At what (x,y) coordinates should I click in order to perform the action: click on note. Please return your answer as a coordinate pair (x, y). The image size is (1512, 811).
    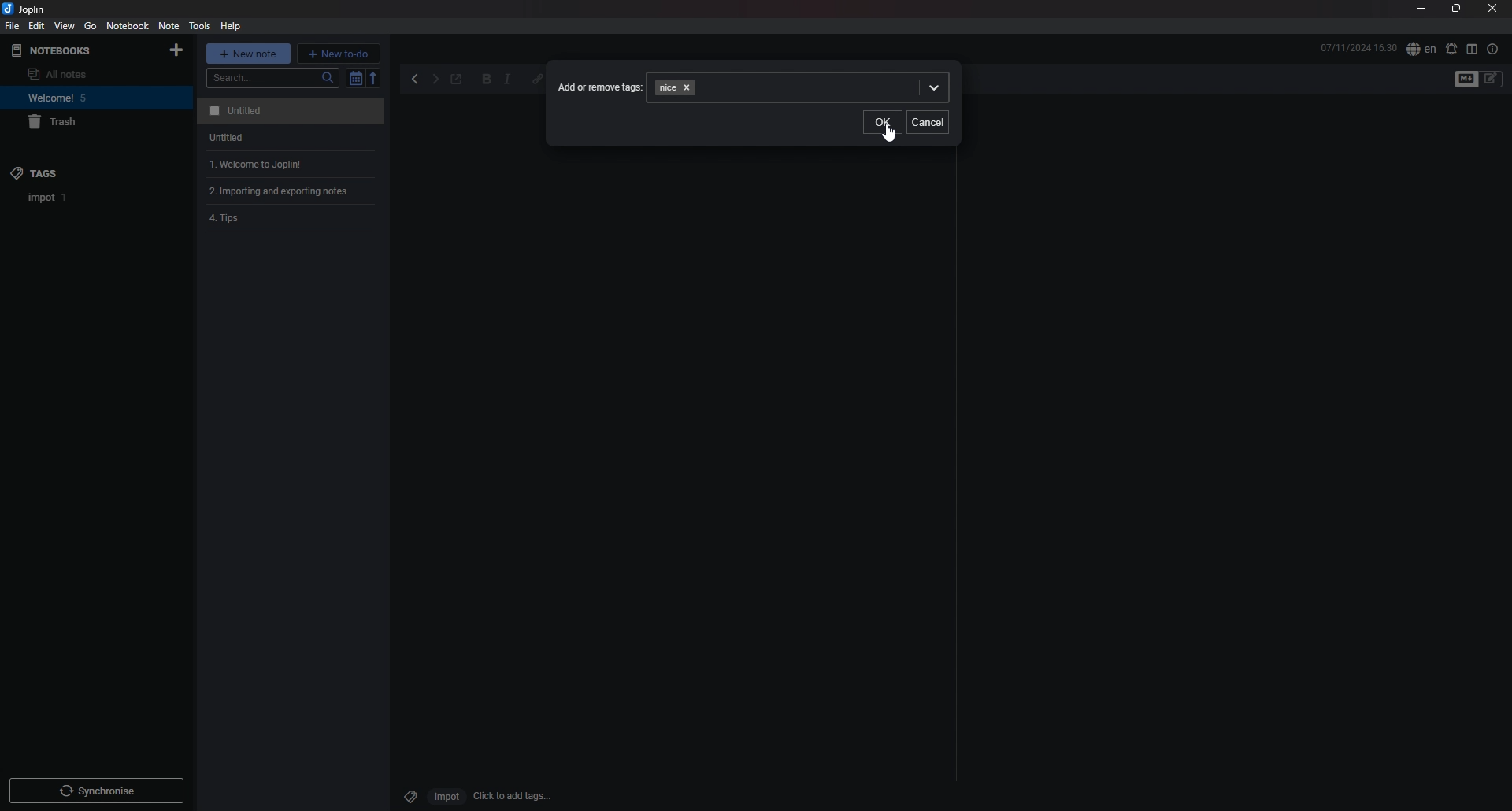
    Looking at the image, I should click on (169, 25).